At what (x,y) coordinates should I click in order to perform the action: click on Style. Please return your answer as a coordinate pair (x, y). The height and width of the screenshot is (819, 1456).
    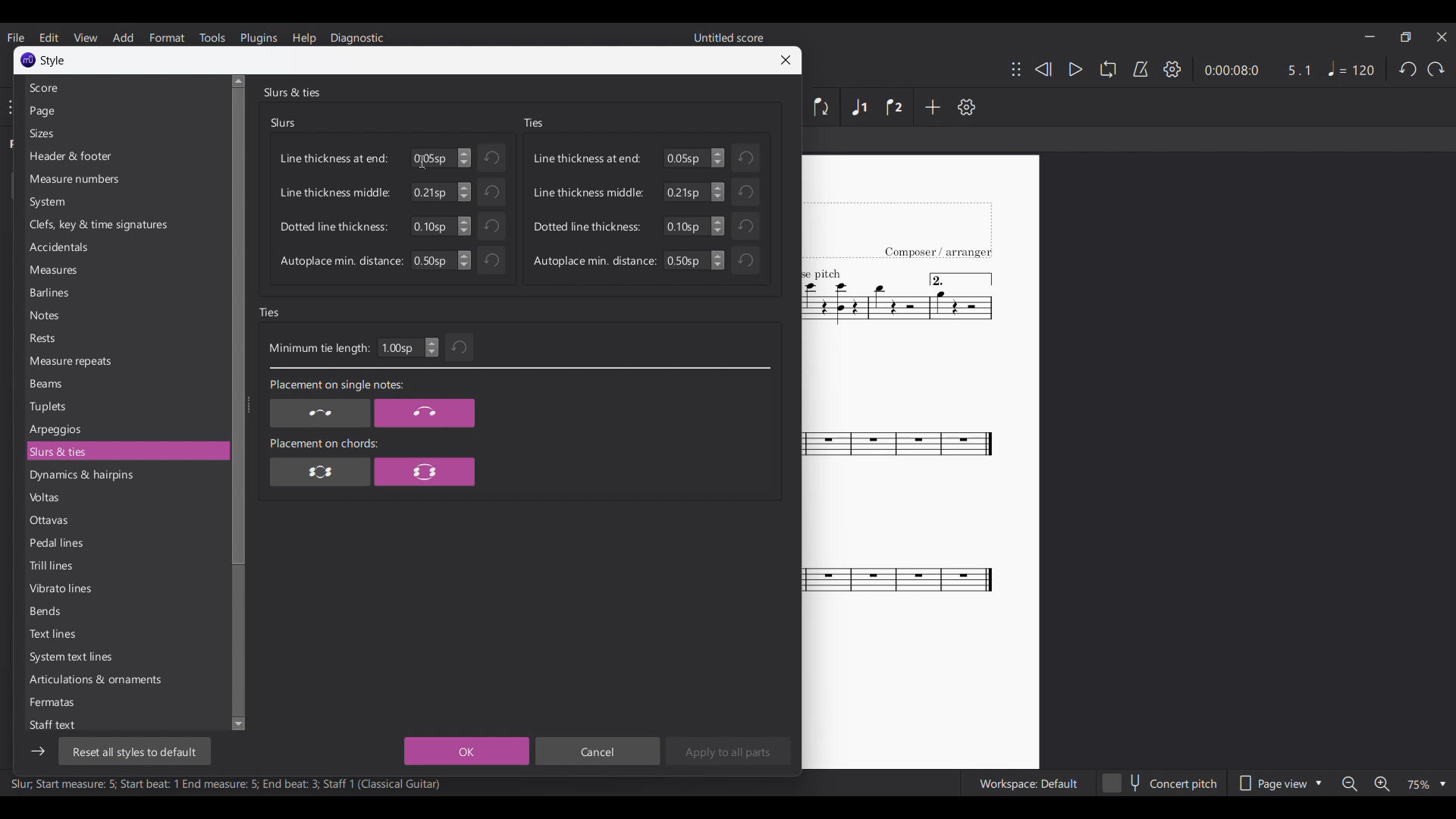
    Looking at the image, I should click on (54, 61).